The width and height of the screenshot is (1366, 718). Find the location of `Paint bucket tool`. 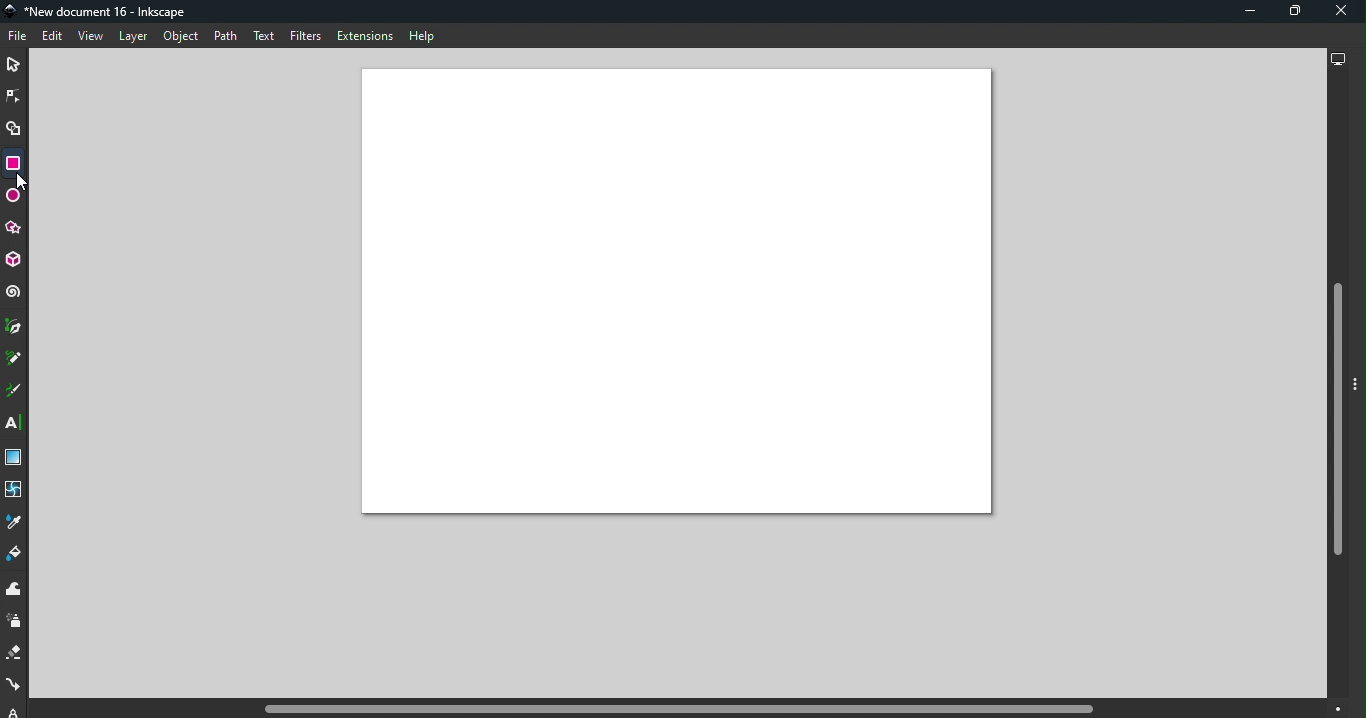

Paint bucket tool is located at coordinates (15, 556).